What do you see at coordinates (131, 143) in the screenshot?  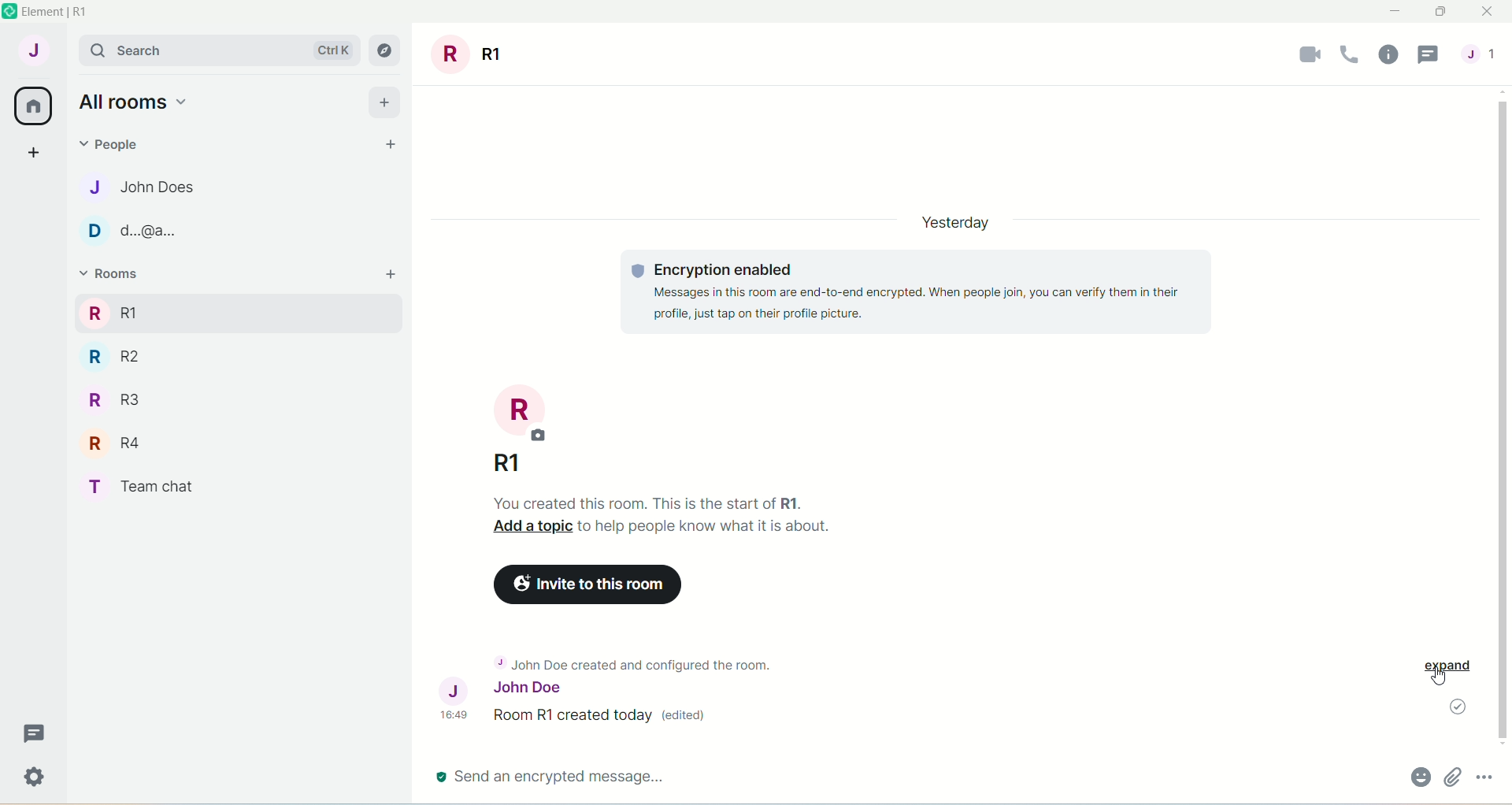 I see `People` at bounding box center [131, 143].